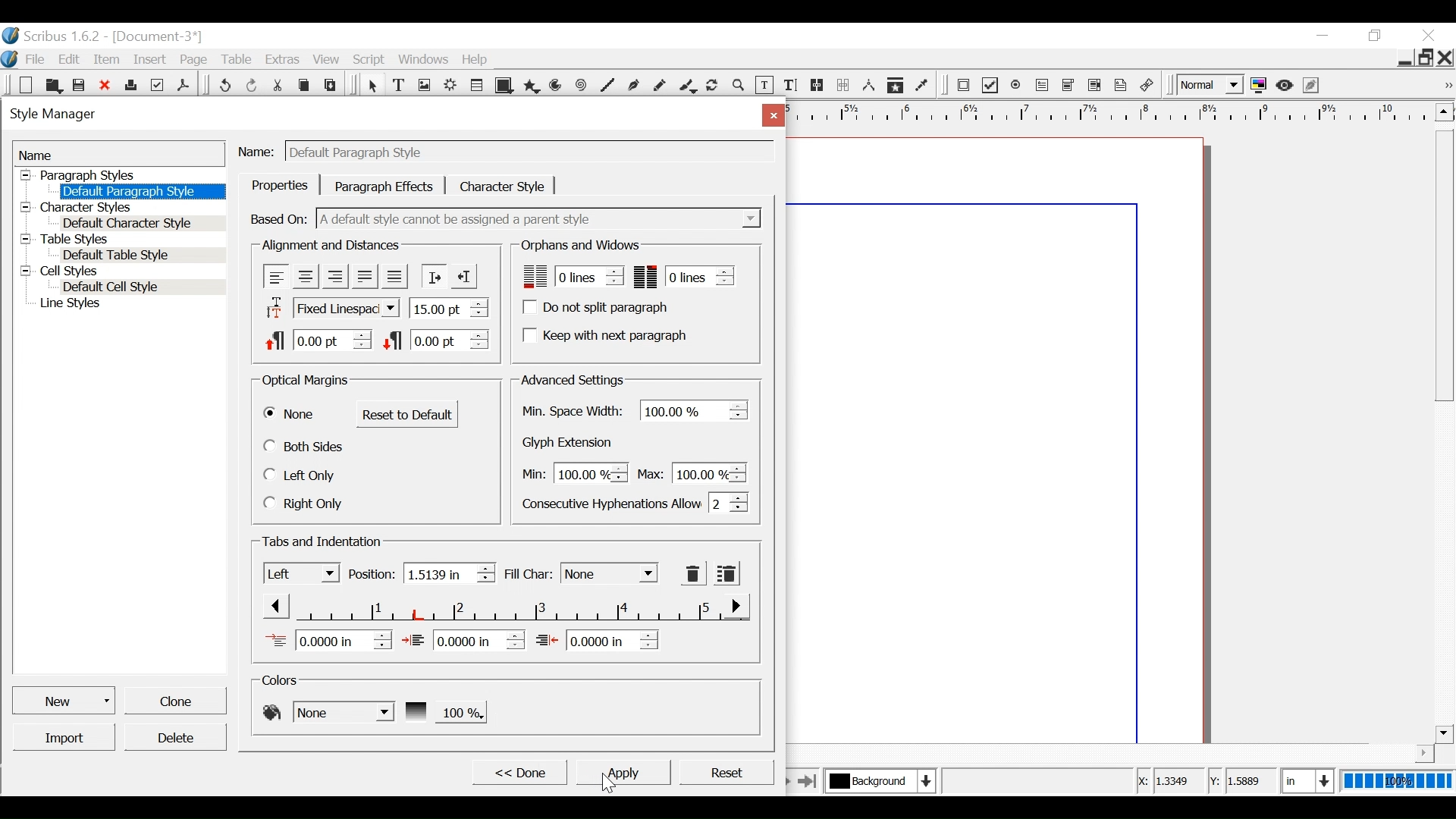 The width and height of the screenshot is (1456, 819). Describe the element at coordinates (571, 474) in the screenshot. I see `Minimum` at that location.